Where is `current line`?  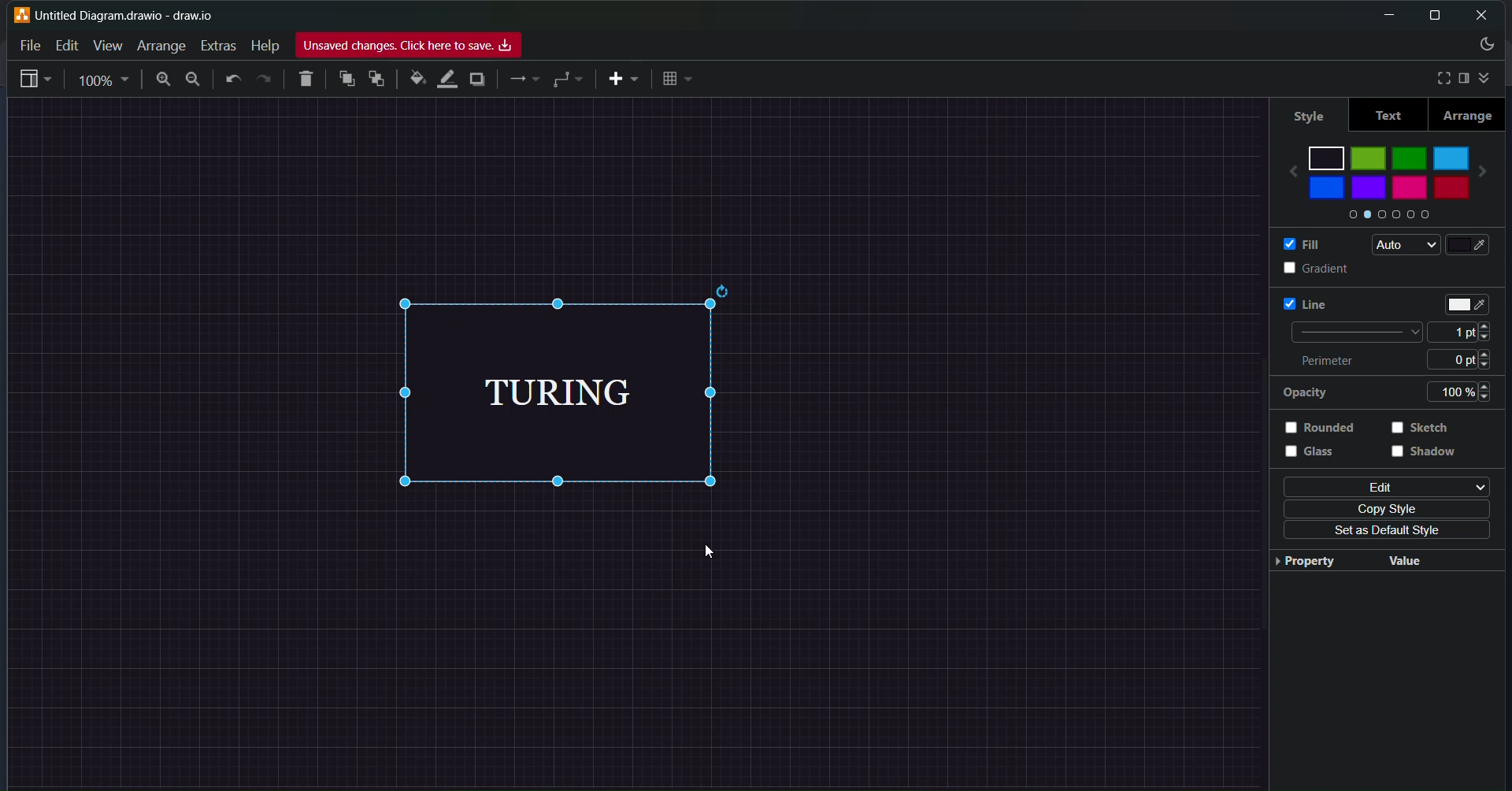
current line is located at coordinates (1352, 332).